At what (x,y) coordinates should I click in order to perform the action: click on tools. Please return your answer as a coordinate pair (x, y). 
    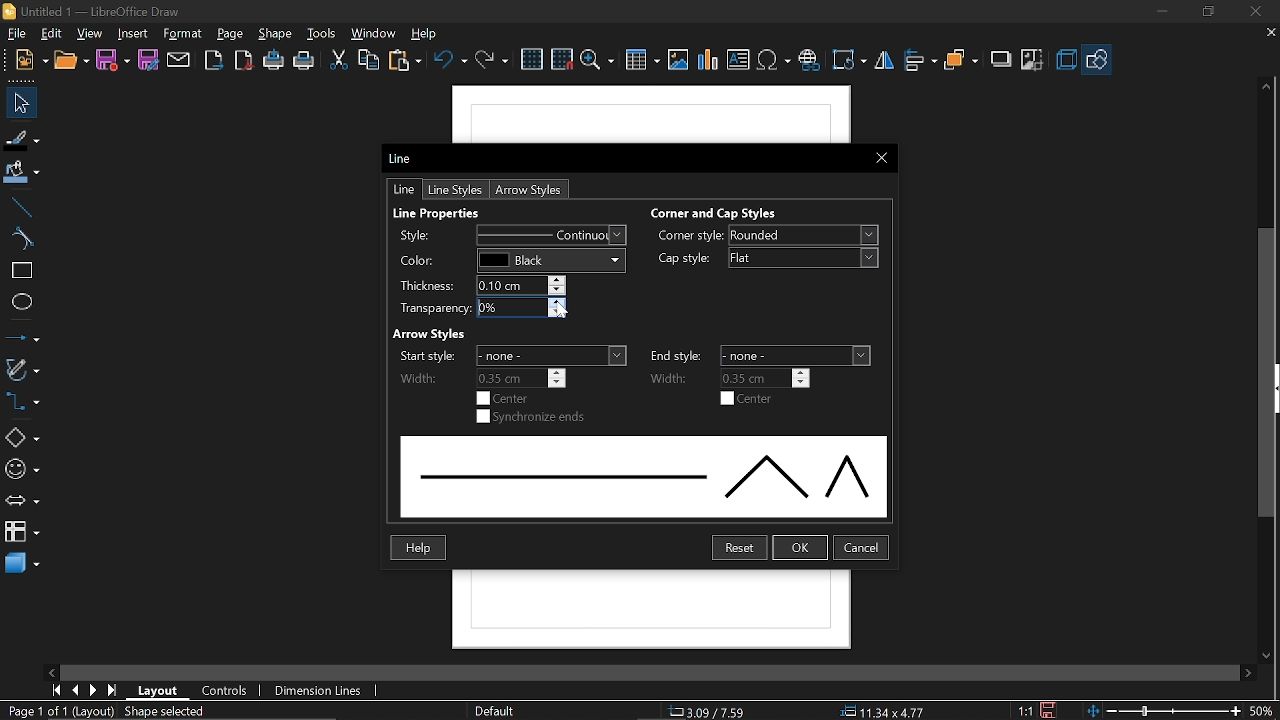
    Looking at the image, I should click on (323, 34).